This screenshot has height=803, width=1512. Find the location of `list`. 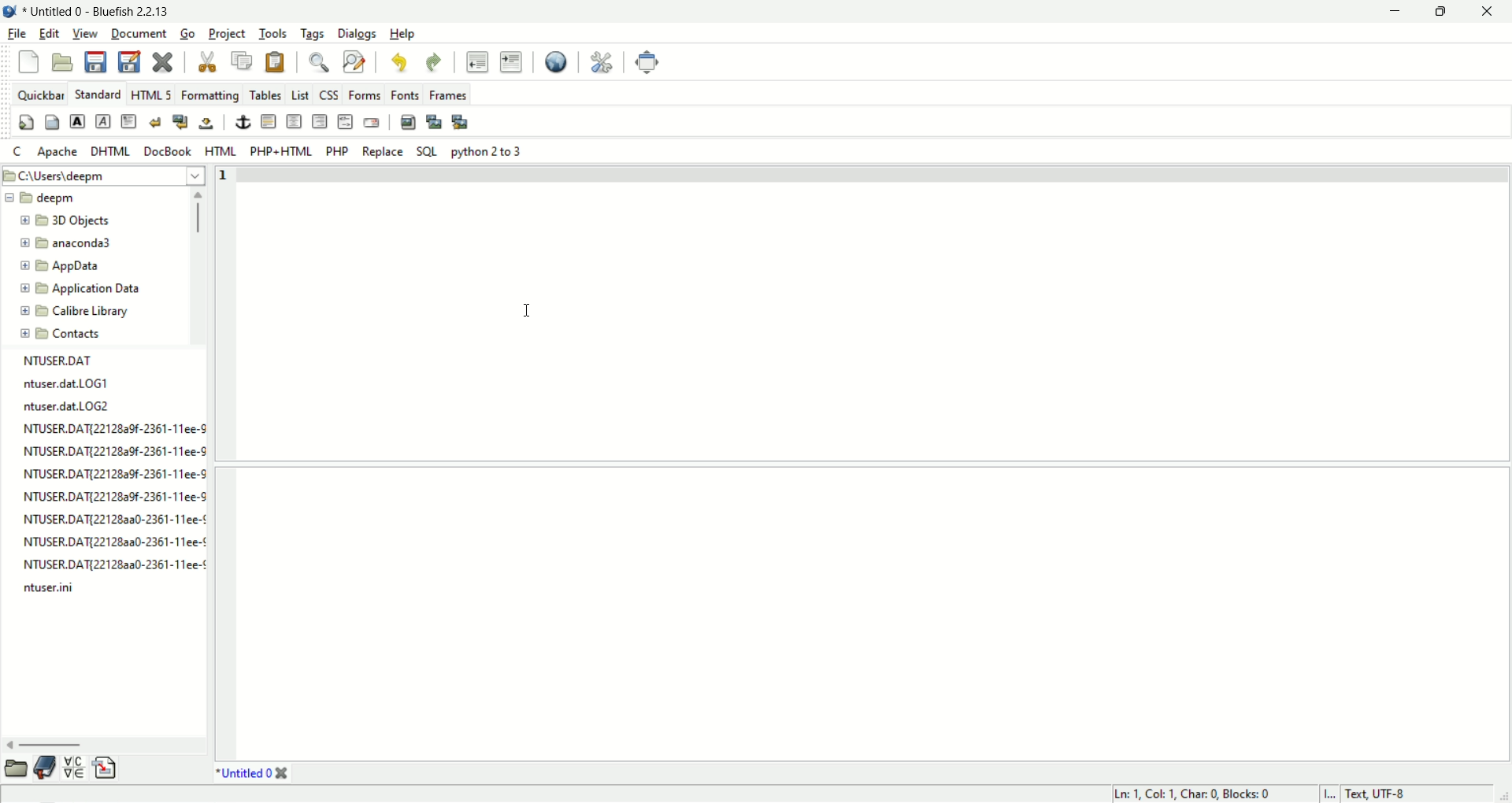

list is located at coordinates (301, 95).